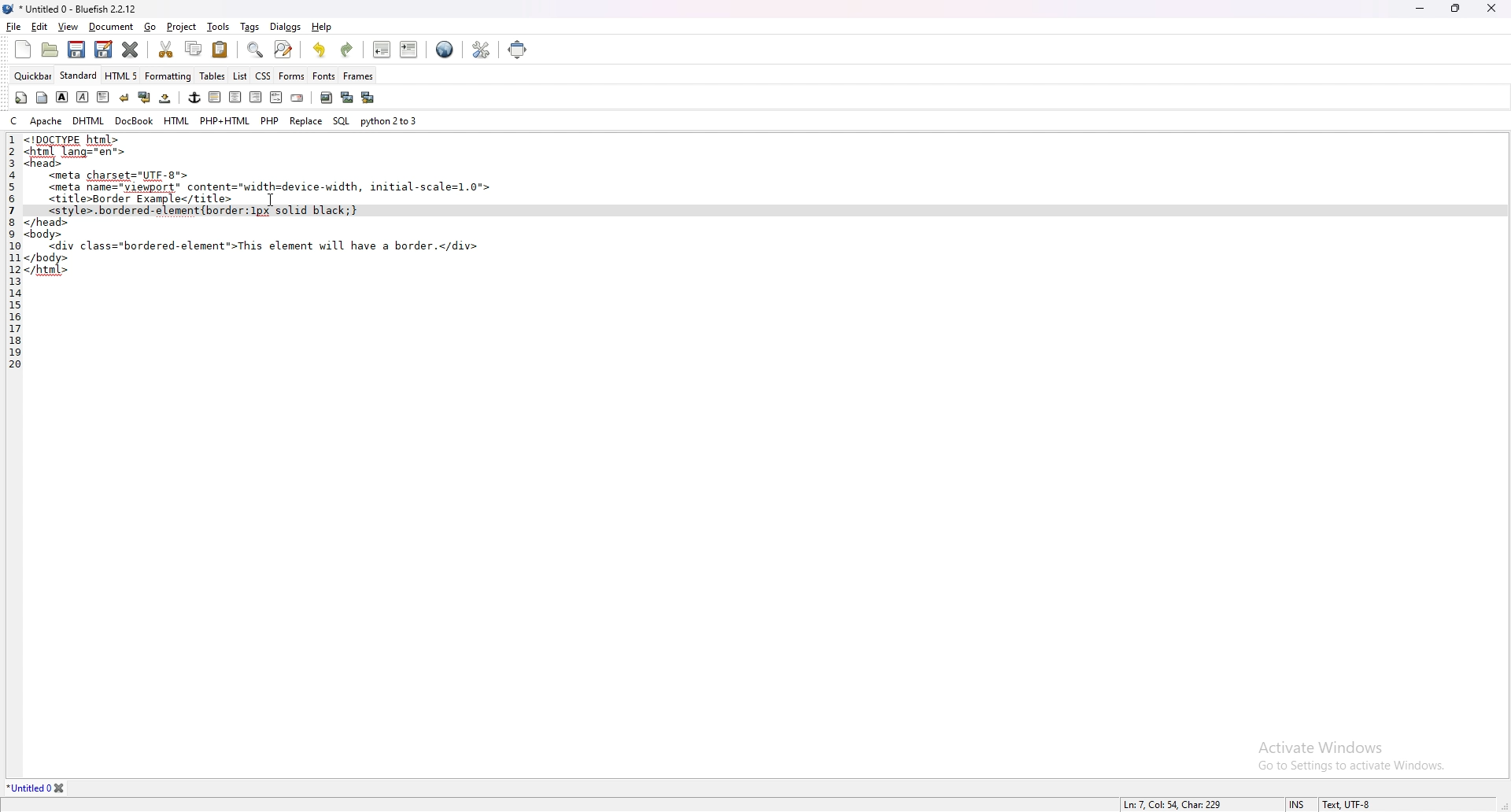 Image resolution: width=1511 pixels, height=812 pixels. I want to click on paste, so click(220, 50).